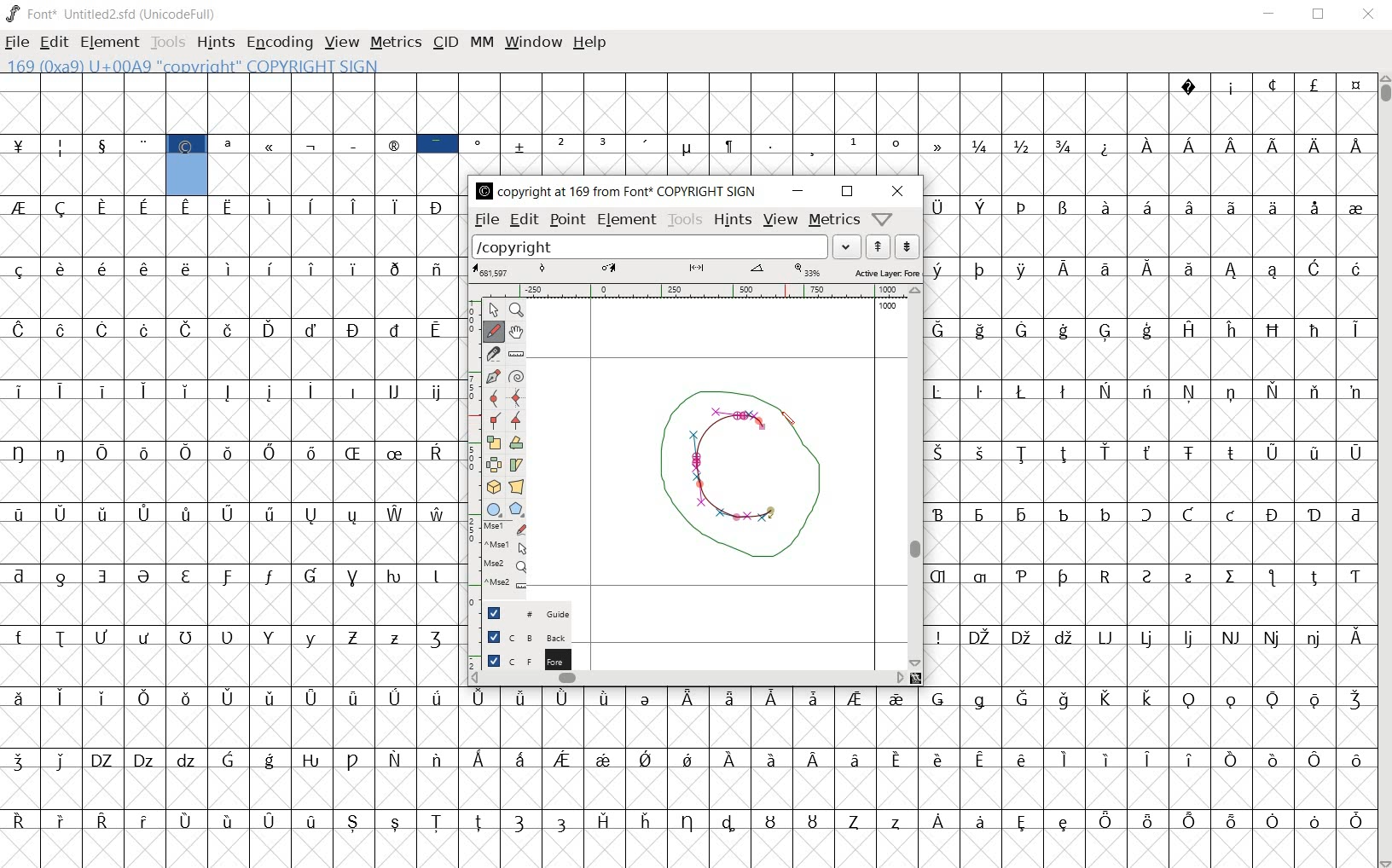 This screenshot has height=868, width=1392. I want to click on draw a freehand curve, so click(493, 331).